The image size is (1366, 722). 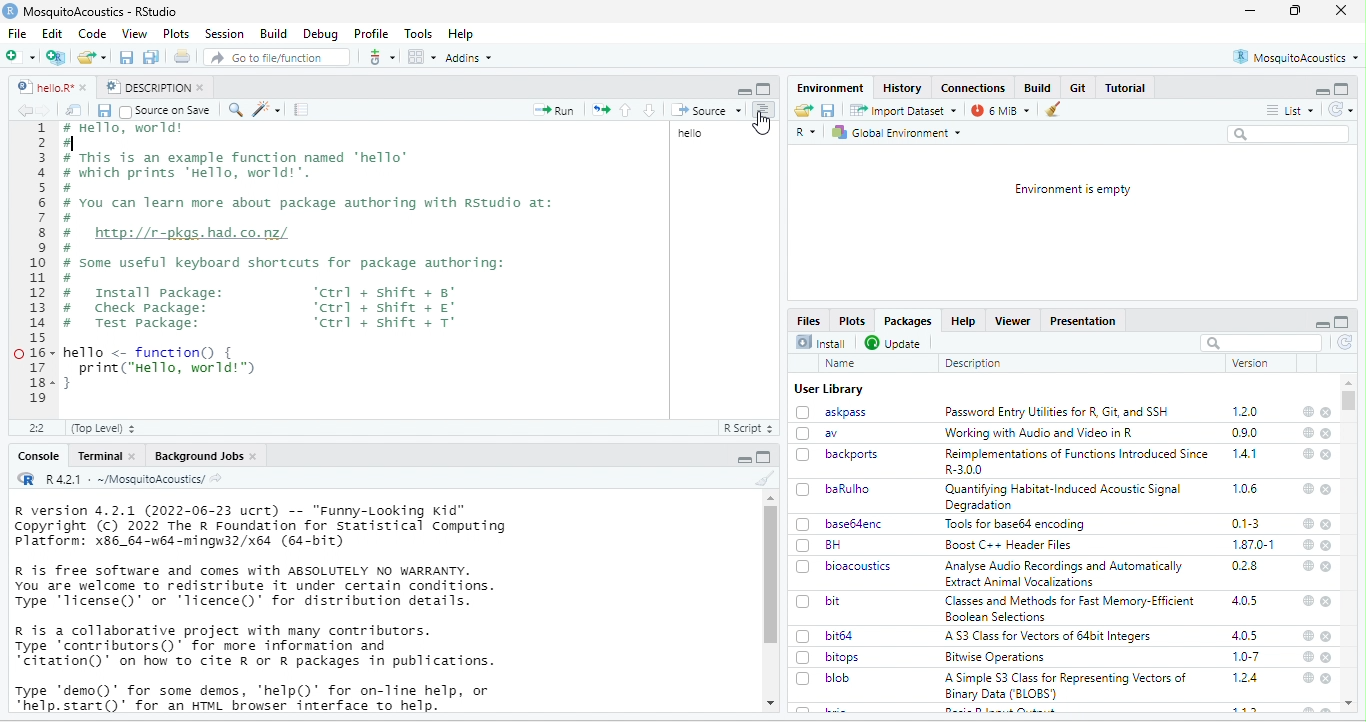 I want to click on save all open documents, so click(x=152, y=57).